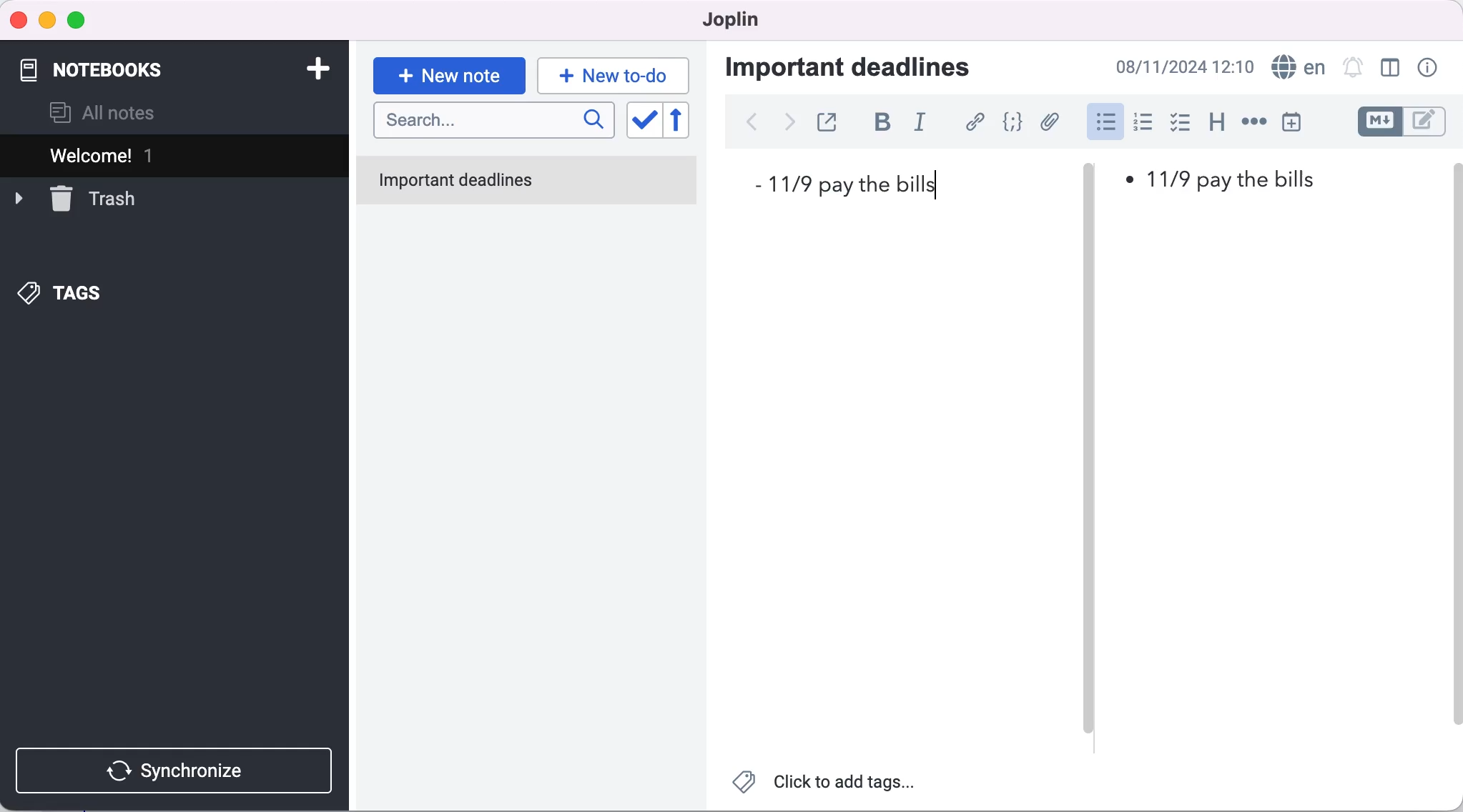 The height and width of the screenshot is (812, 1463). What do you see at coordinates (75, 291) in the screenshot?
I see `tags` at bounding box center [75, 291].